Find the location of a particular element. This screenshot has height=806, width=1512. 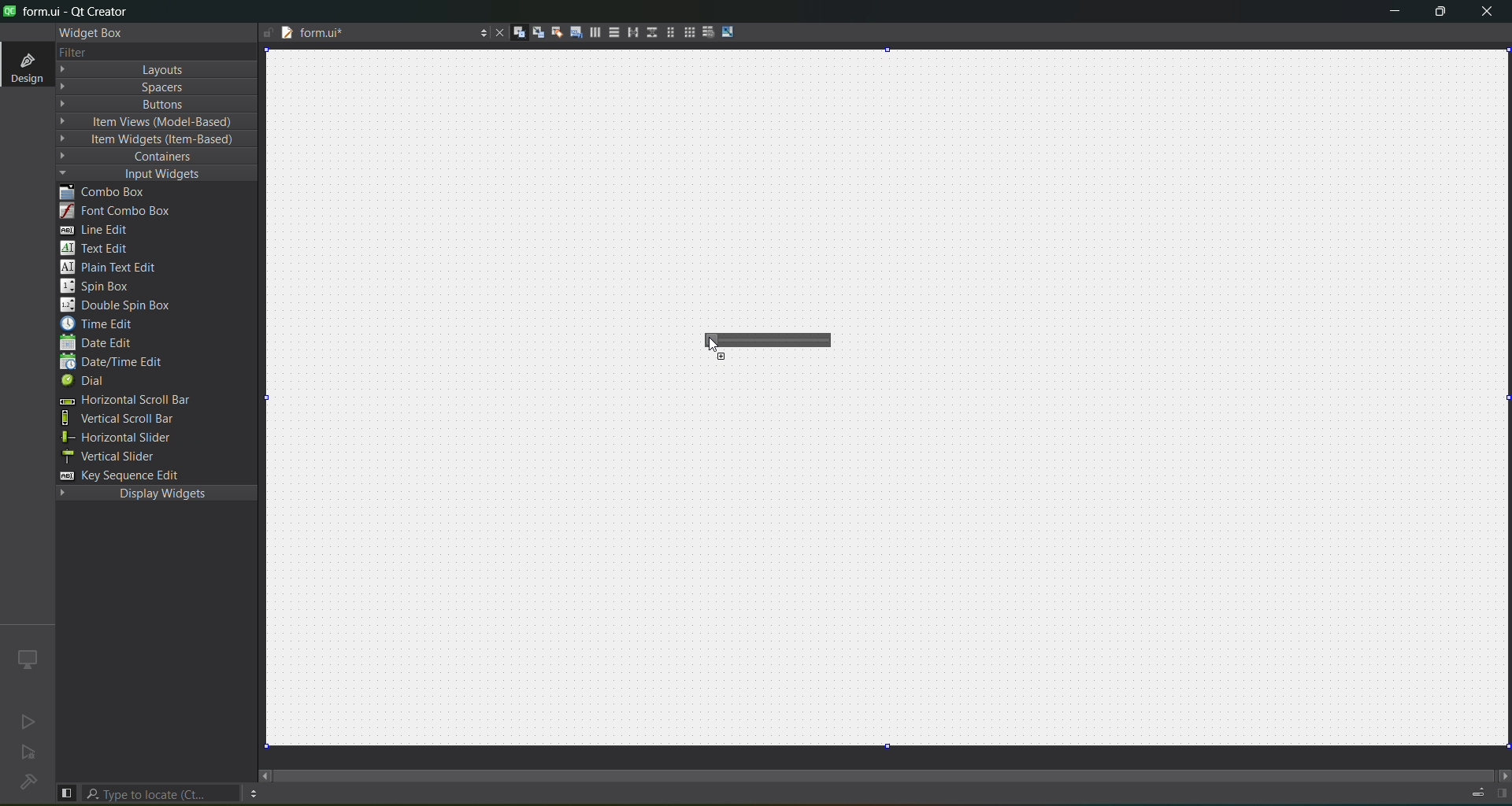

layout in a form is located at coordinates (672, 33).